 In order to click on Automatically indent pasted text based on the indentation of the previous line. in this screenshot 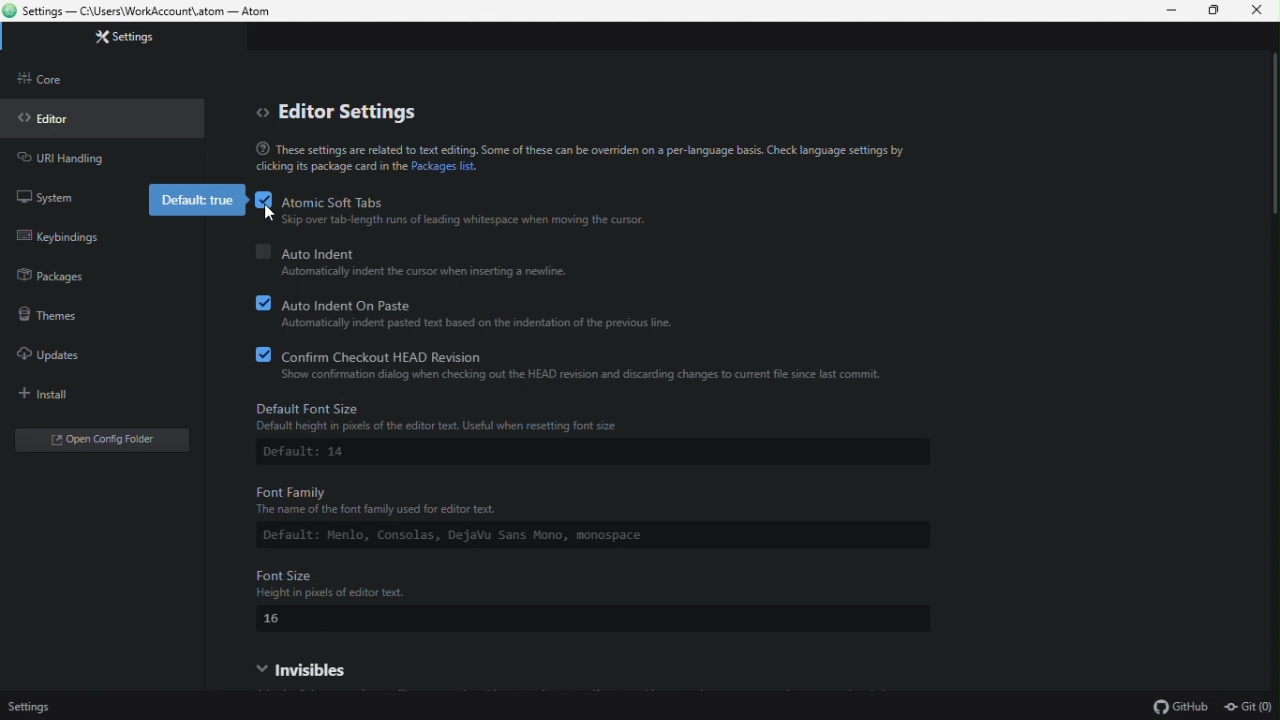, I will do `click(476, 323)`.